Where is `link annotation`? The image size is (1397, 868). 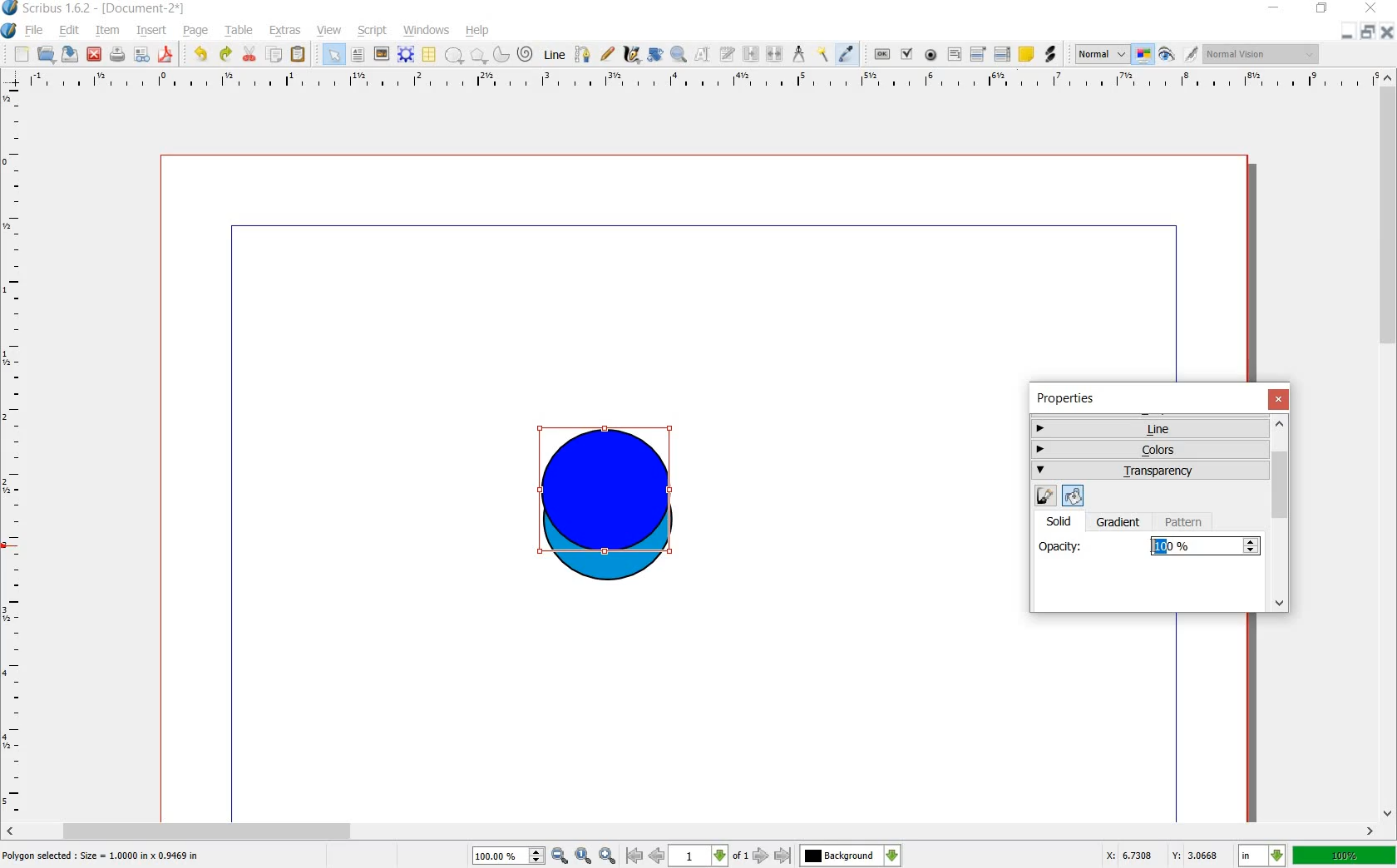 link annotation is located at coordinates (1050, 53).